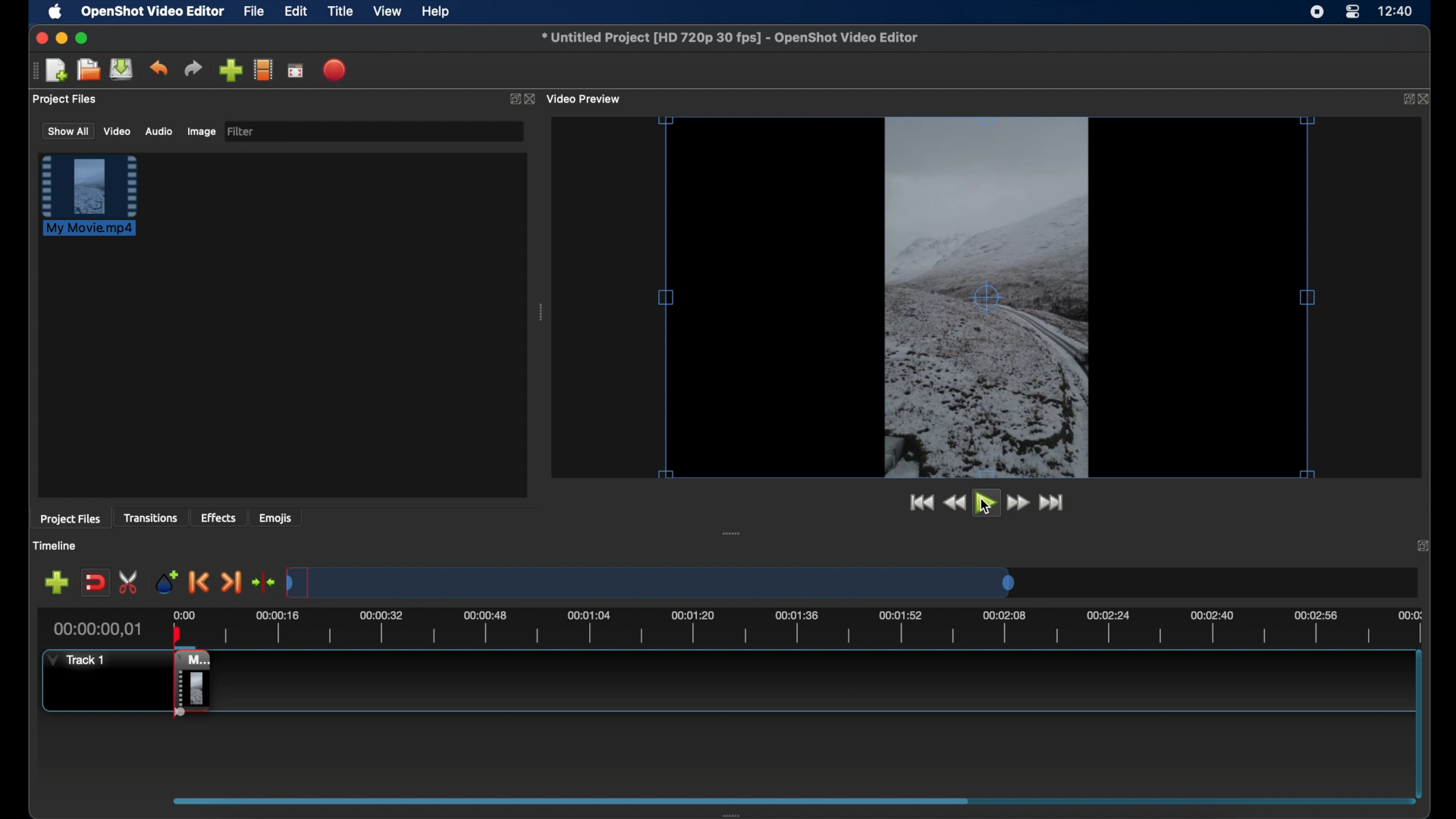 Image resolution: width=1456 pixels, height=819 pixels. I want to click on expand, so click(511, 101).